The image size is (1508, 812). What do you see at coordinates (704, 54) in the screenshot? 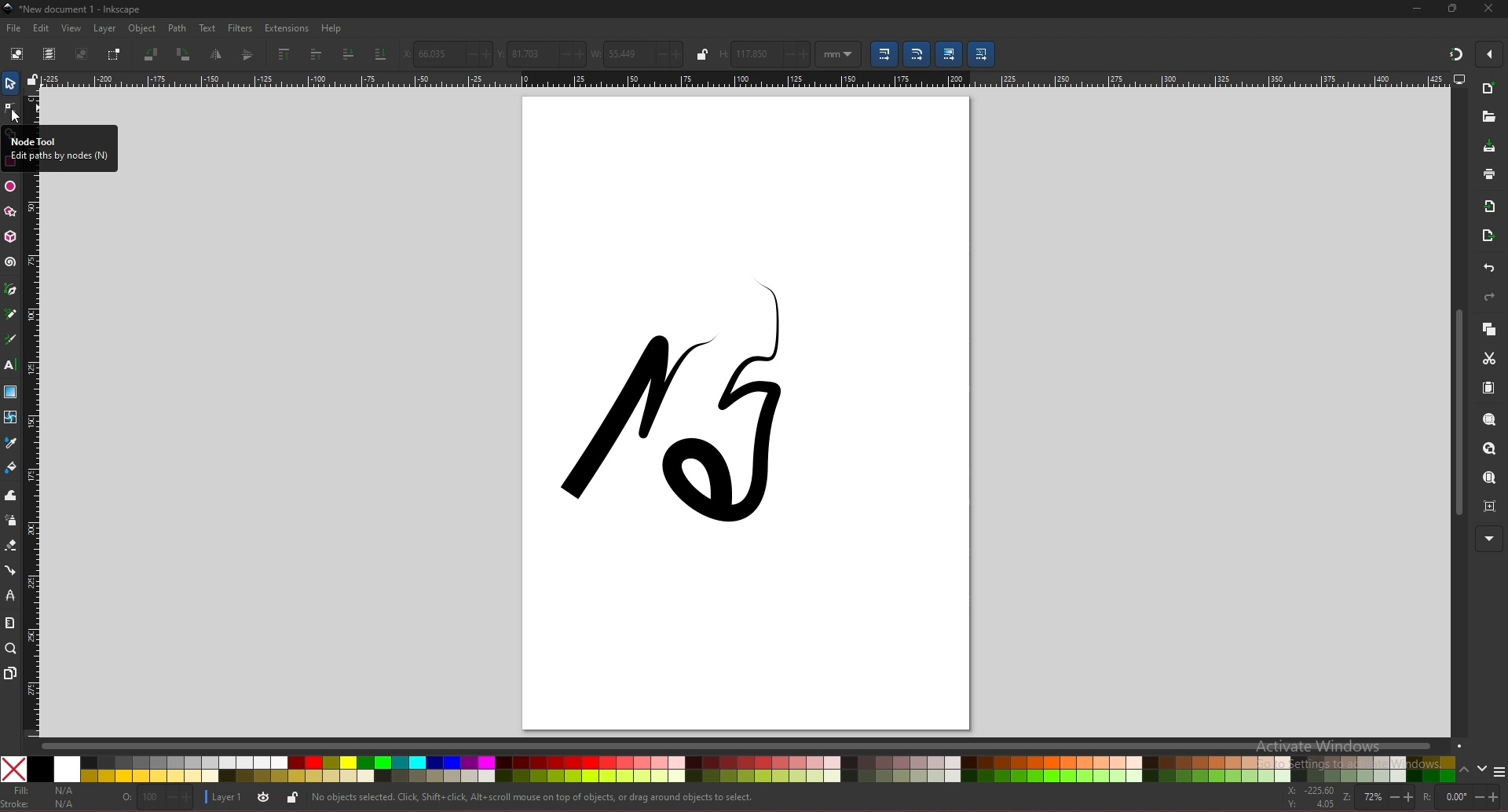
I see `lock` at bounding box center [704, 54].